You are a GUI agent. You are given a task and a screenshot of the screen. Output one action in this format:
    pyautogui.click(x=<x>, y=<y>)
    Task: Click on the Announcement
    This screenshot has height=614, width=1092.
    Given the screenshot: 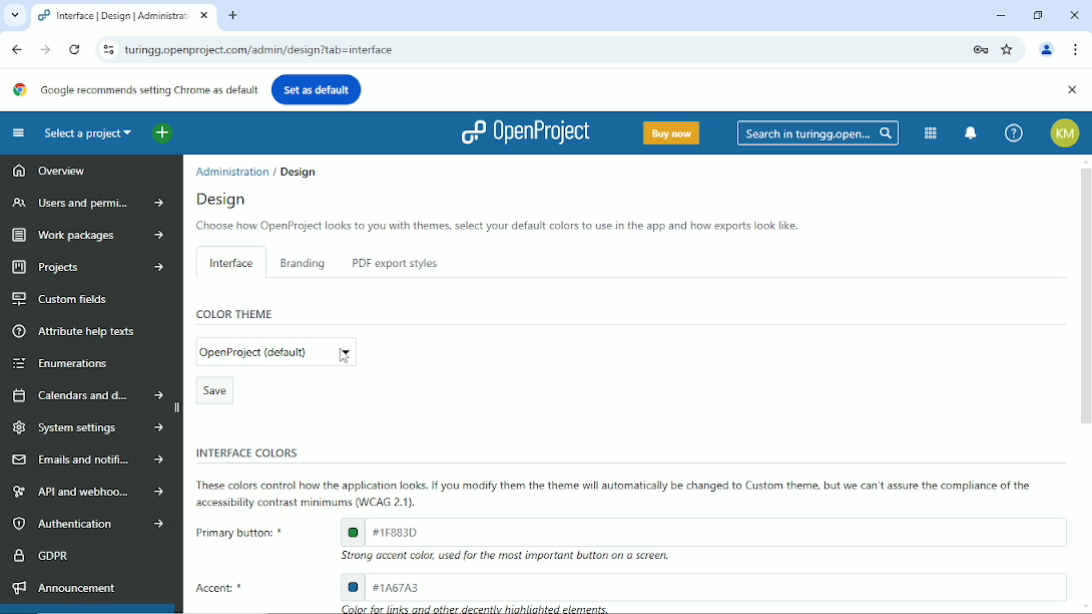 What is the action you would take?
    pyautogui.click(x=63, y=587)
    